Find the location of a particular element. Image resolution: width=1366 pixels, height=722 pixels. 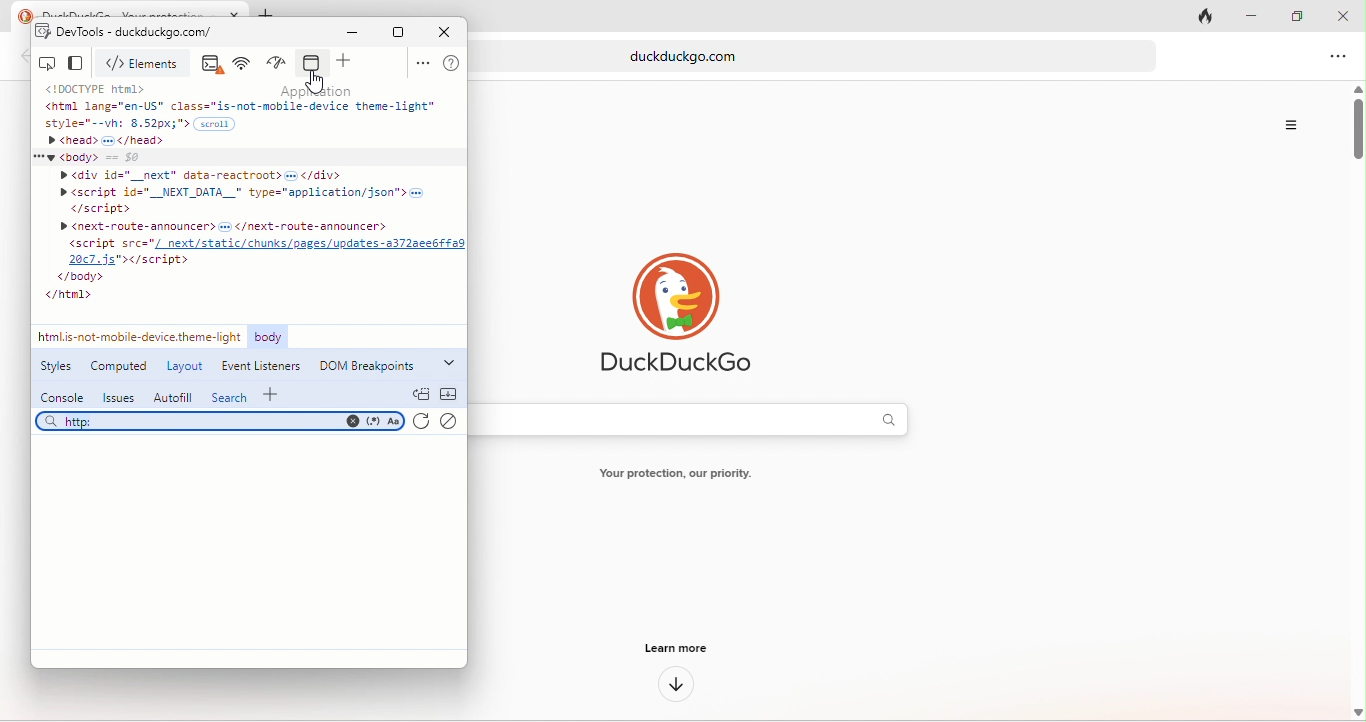

track tab is located at coordinates (1209, 19).